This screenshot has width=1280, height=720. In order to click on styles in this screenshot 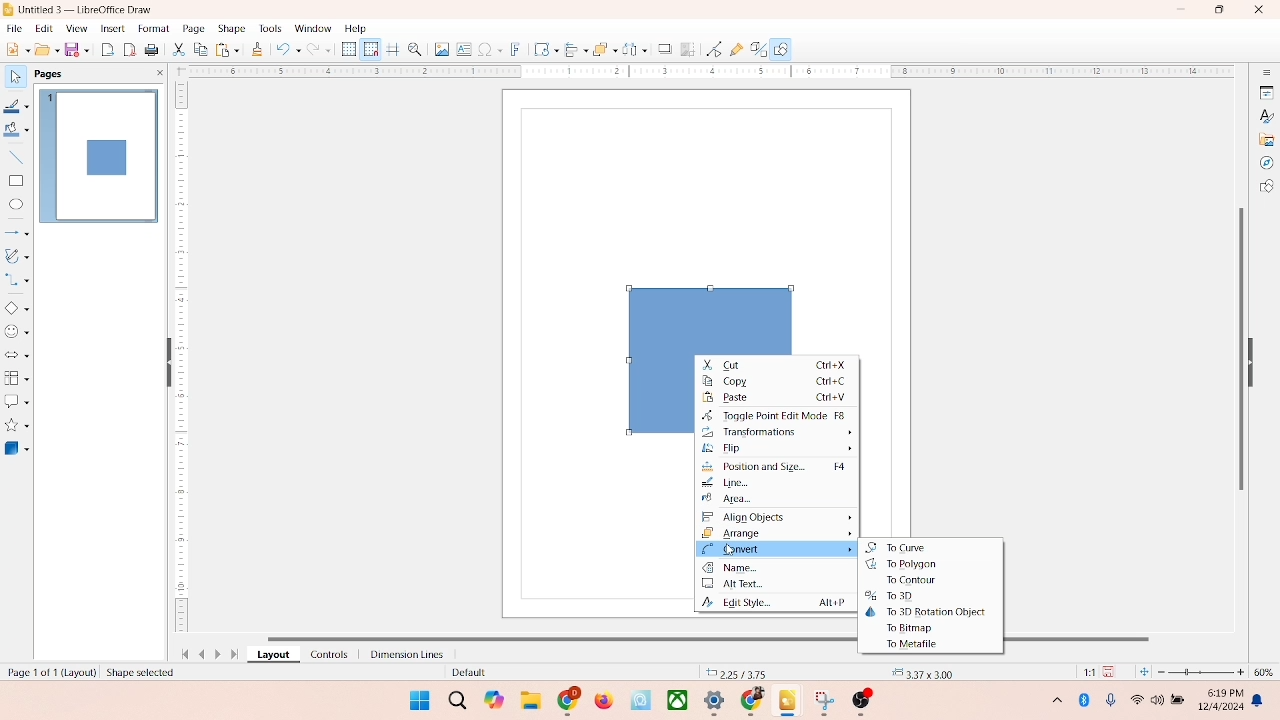, I will do `click(1265, 115)`.